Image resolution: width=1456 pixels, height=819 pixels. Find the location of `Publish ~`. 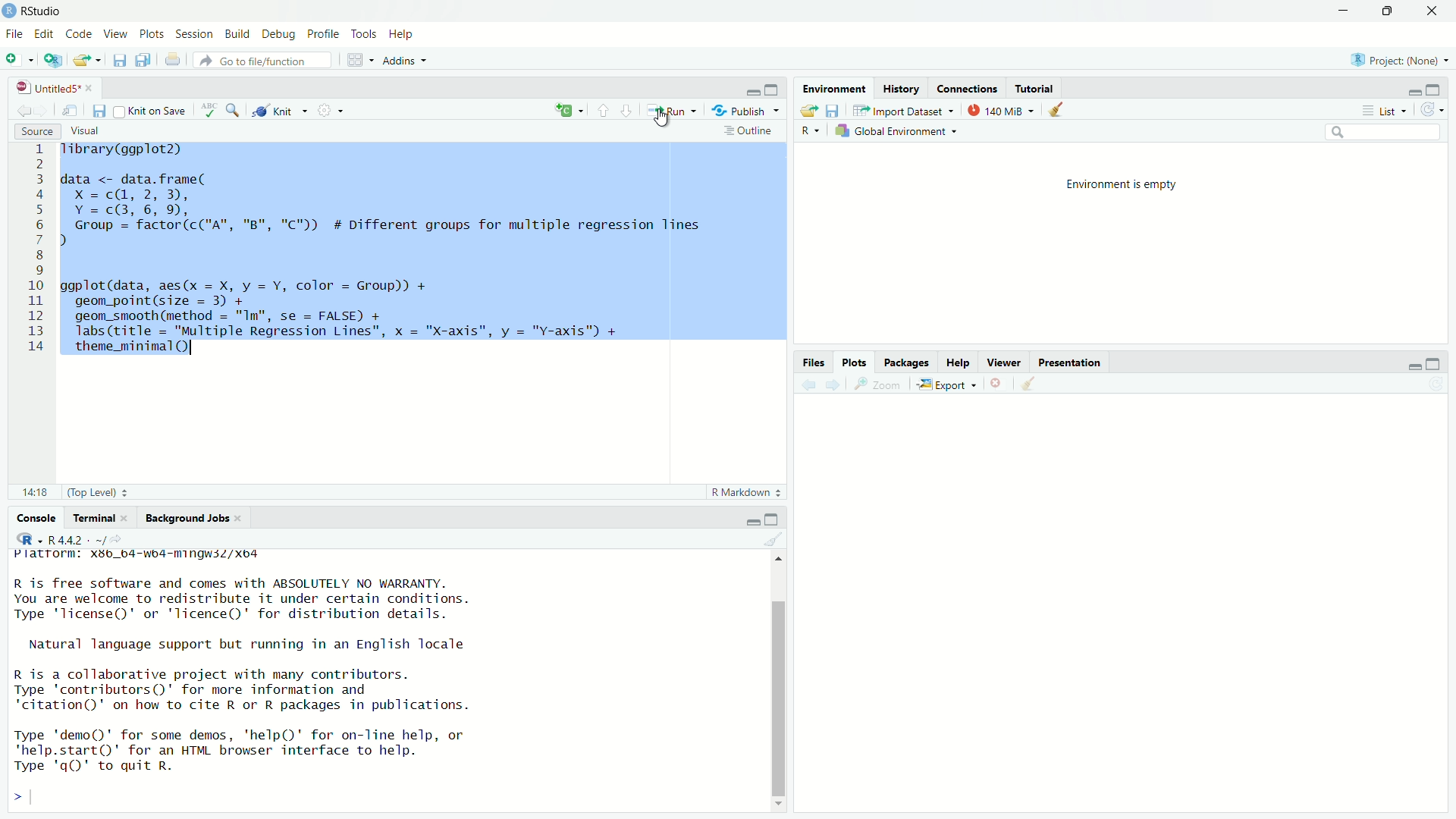

Publish ~ is located at coordinates (746, 111).